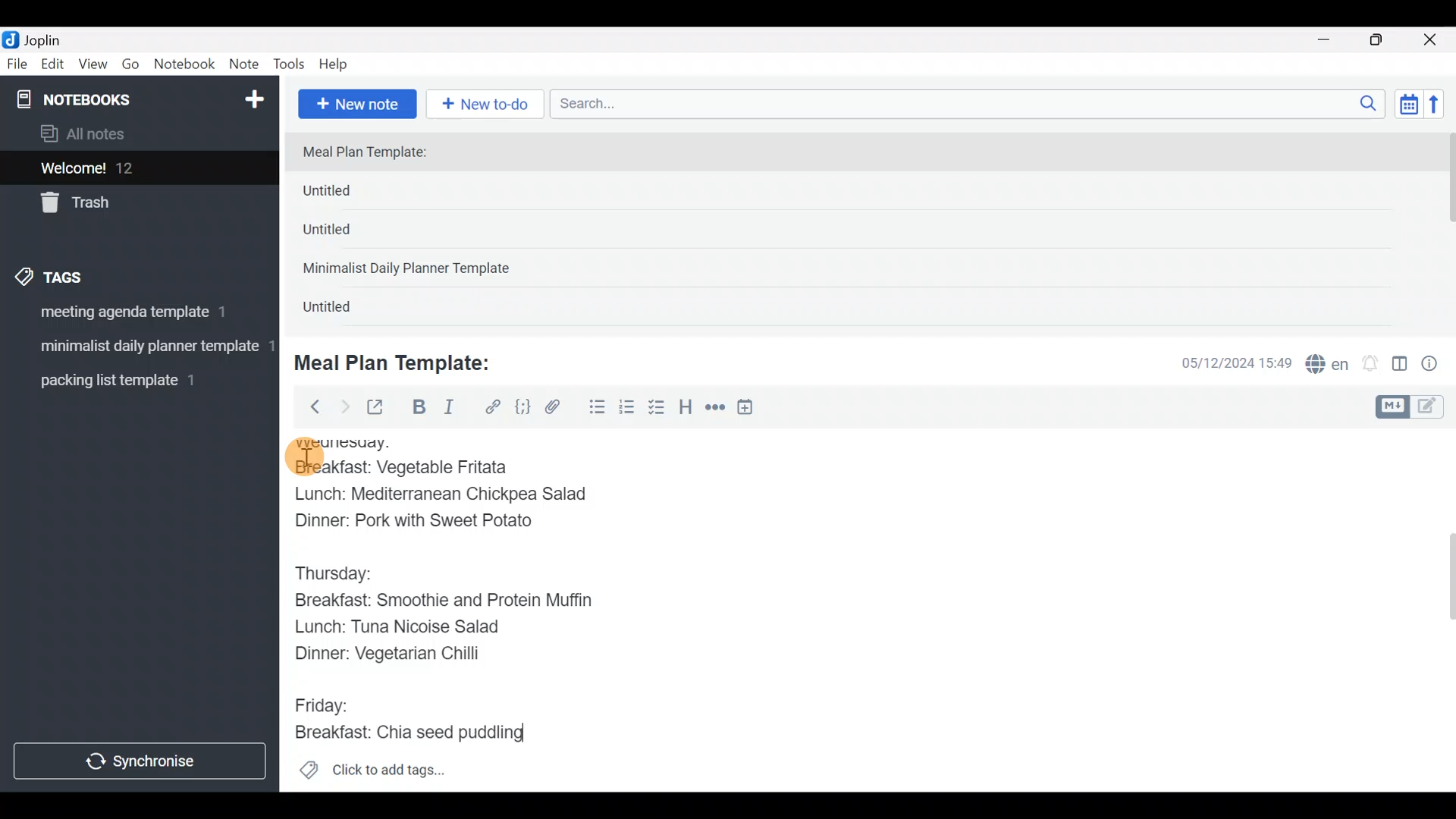 Image resolution: width=1456 pixels, height=819 pixels. I want to click on Bold, so click(418, 409).